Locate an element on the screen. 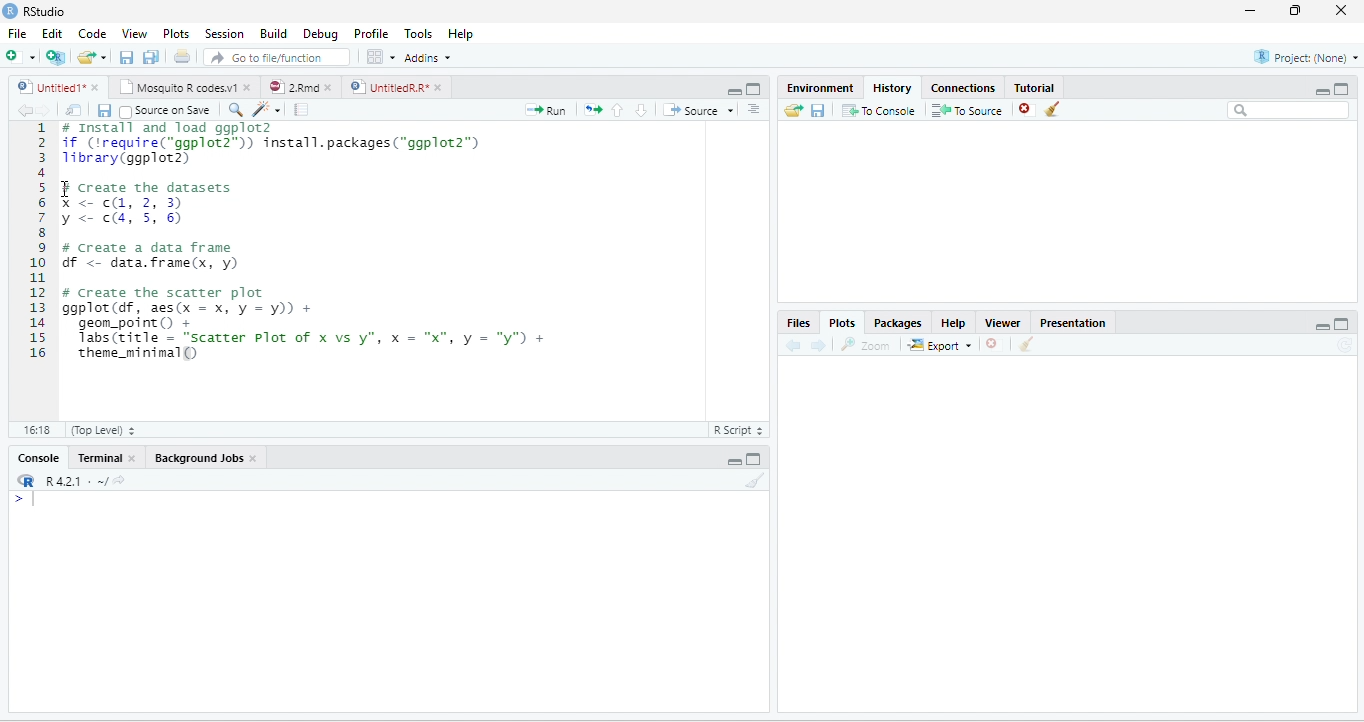  Minimize is located at coordinates (733, 461).